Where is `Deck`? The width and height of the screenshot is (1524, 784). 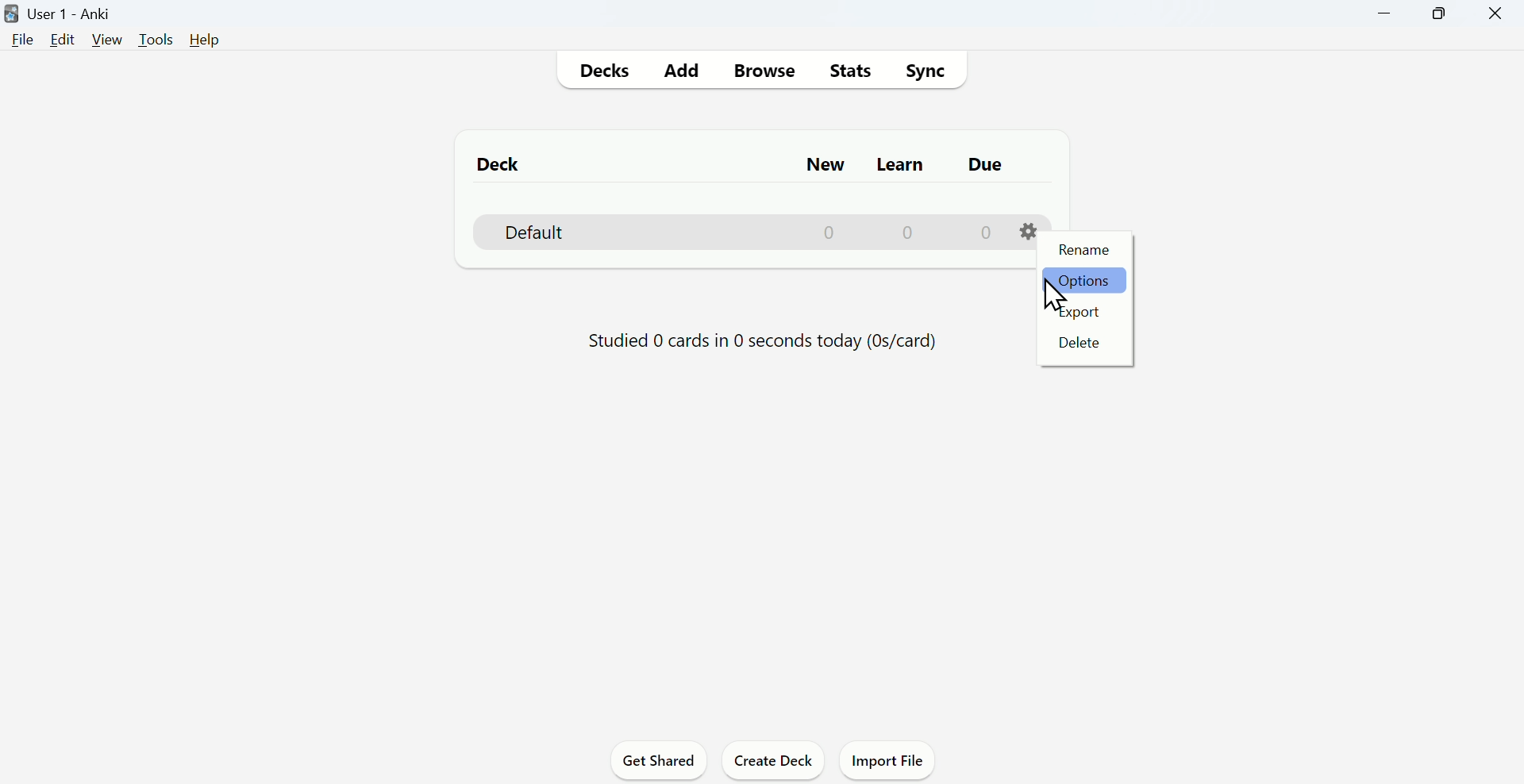 Deck is located at coordinates (504, 163).